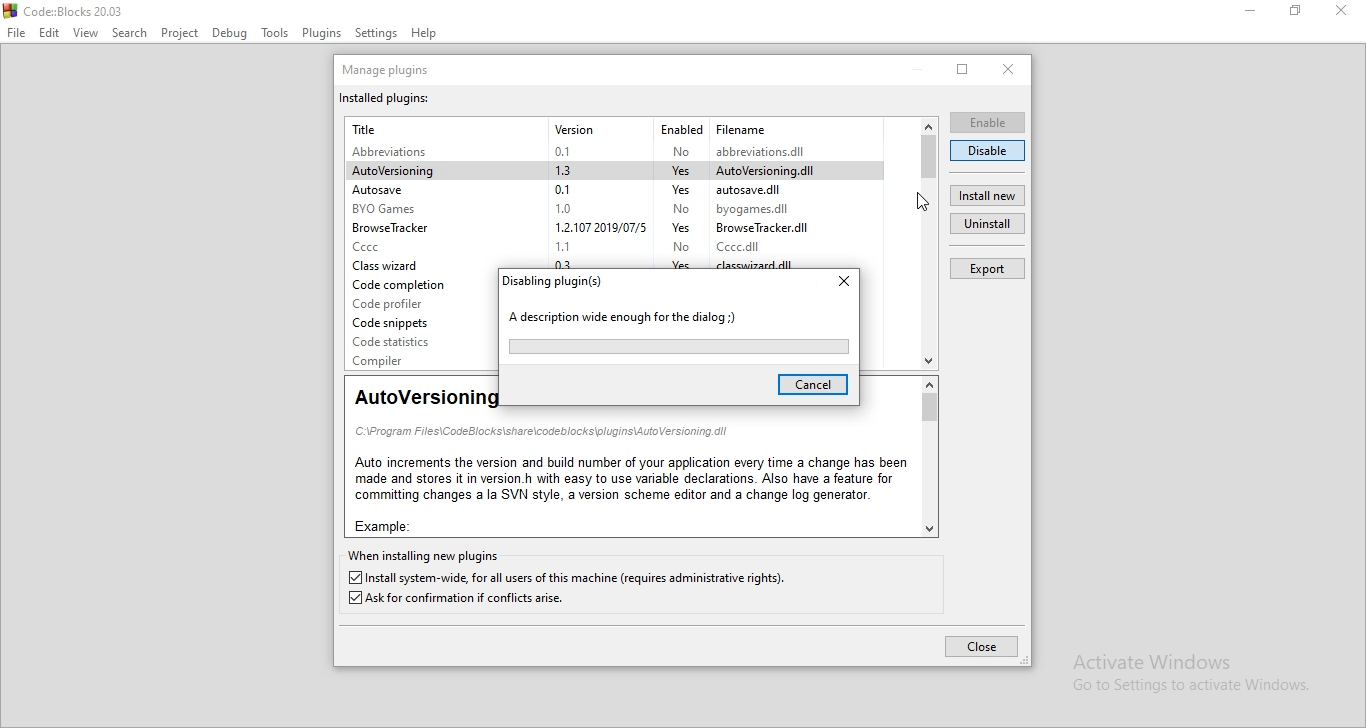  I want to click on minimize, so click(918, 69).